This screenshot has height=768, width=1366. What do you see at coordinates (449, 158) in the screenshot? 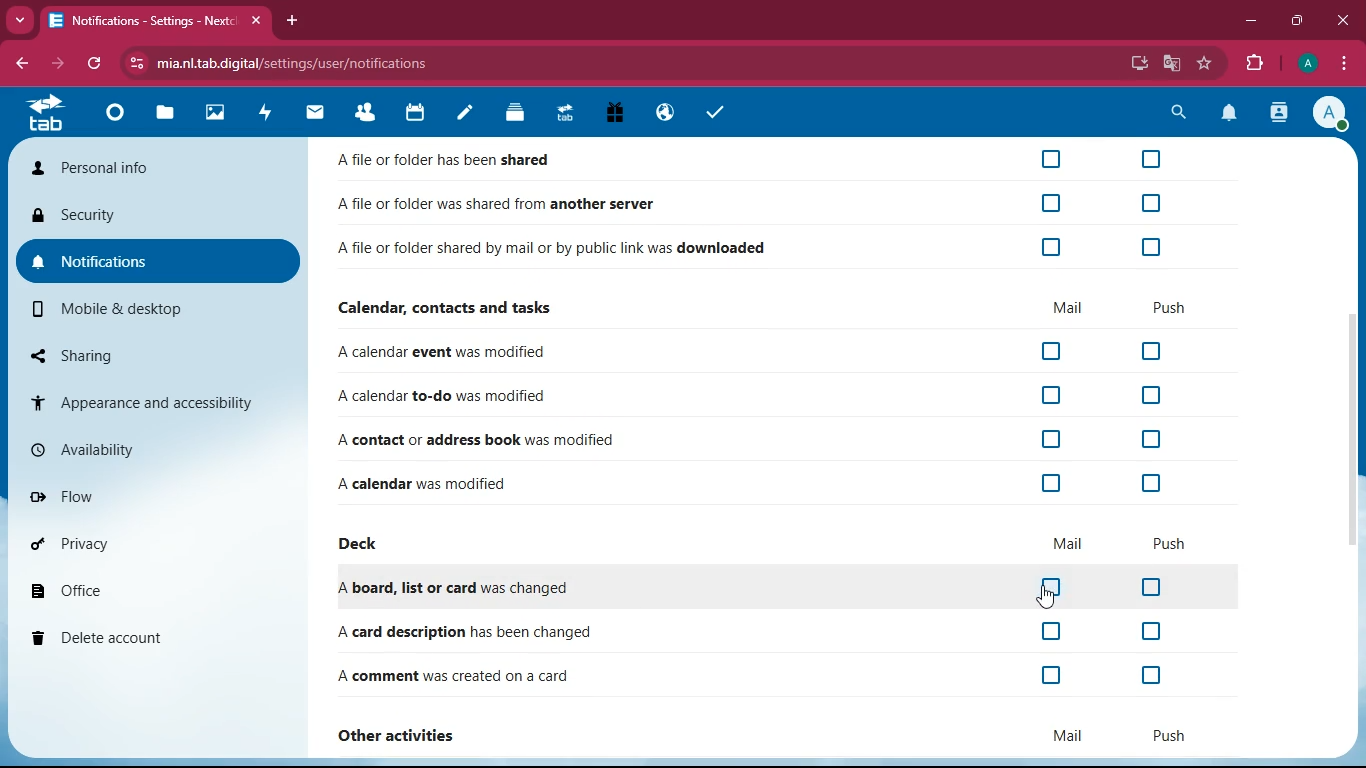
I see `Afile or folder has been shared` at bounding box center [449, 158].